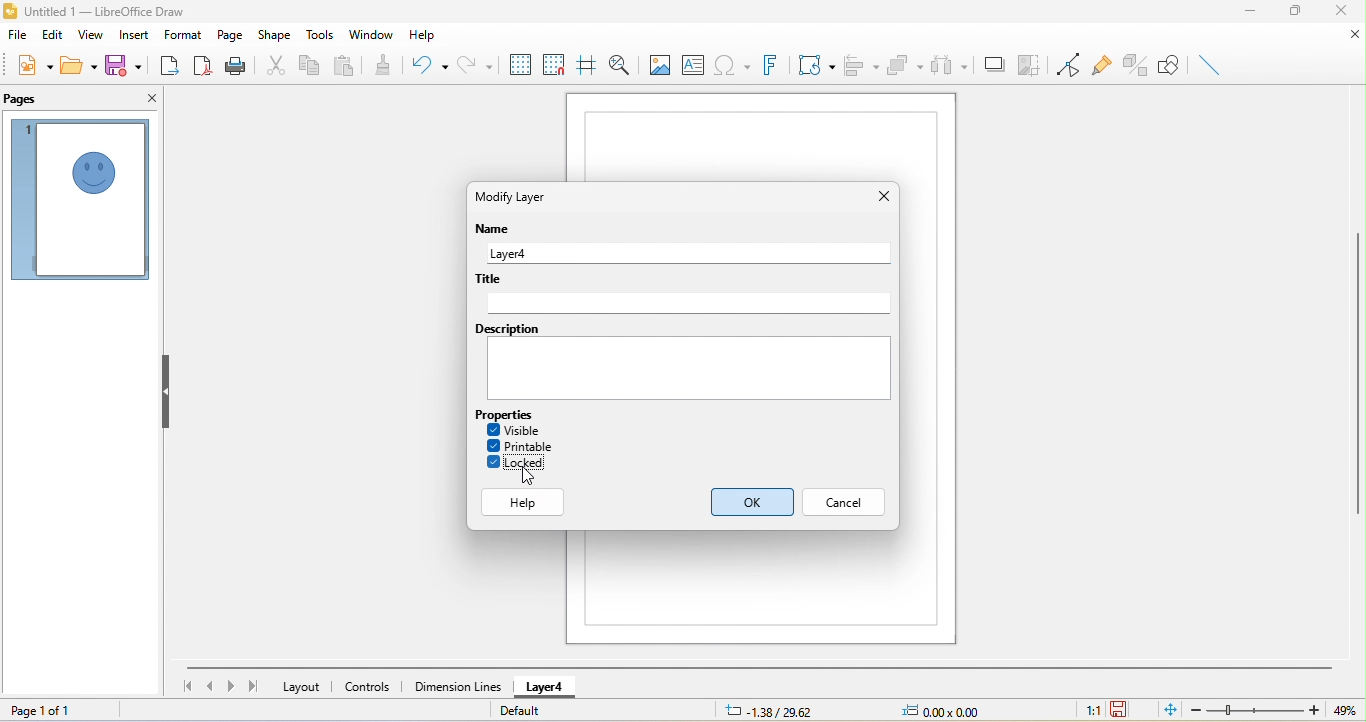  I want to click on file, so click(18, 38).